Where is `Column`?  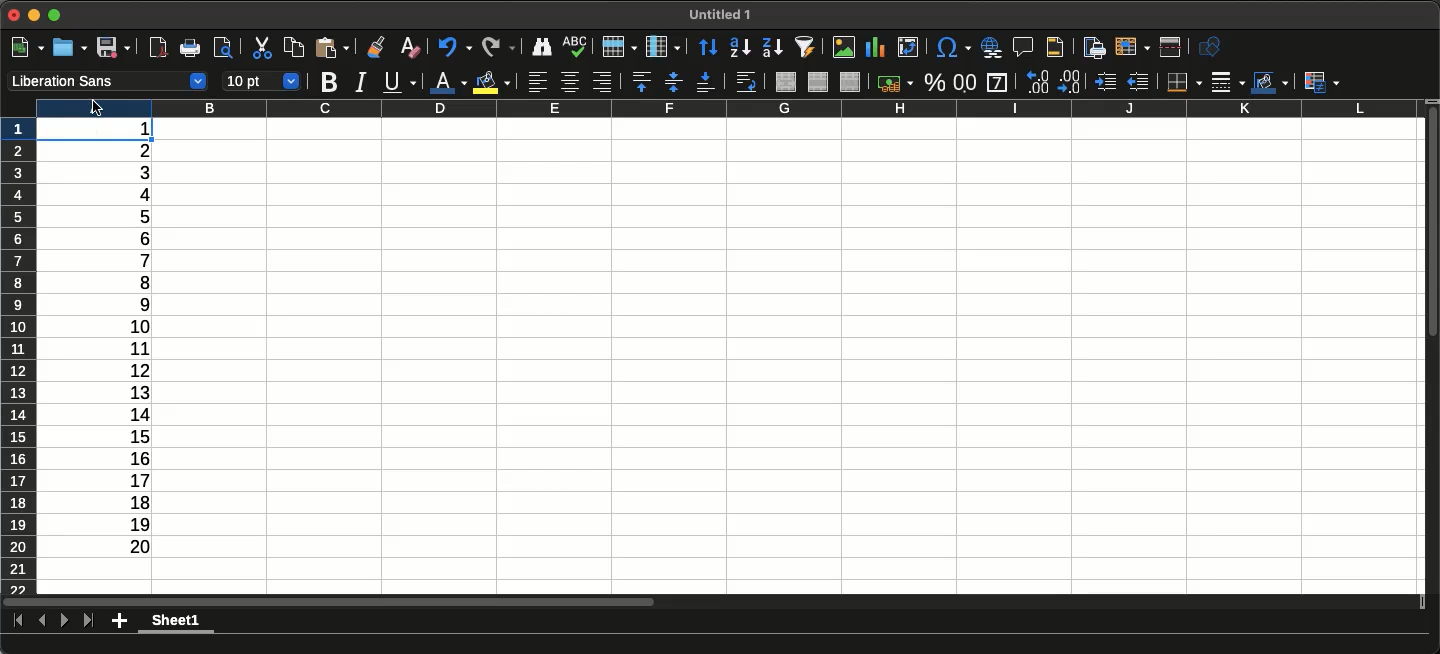
Column is located at coordinates (726, 107).